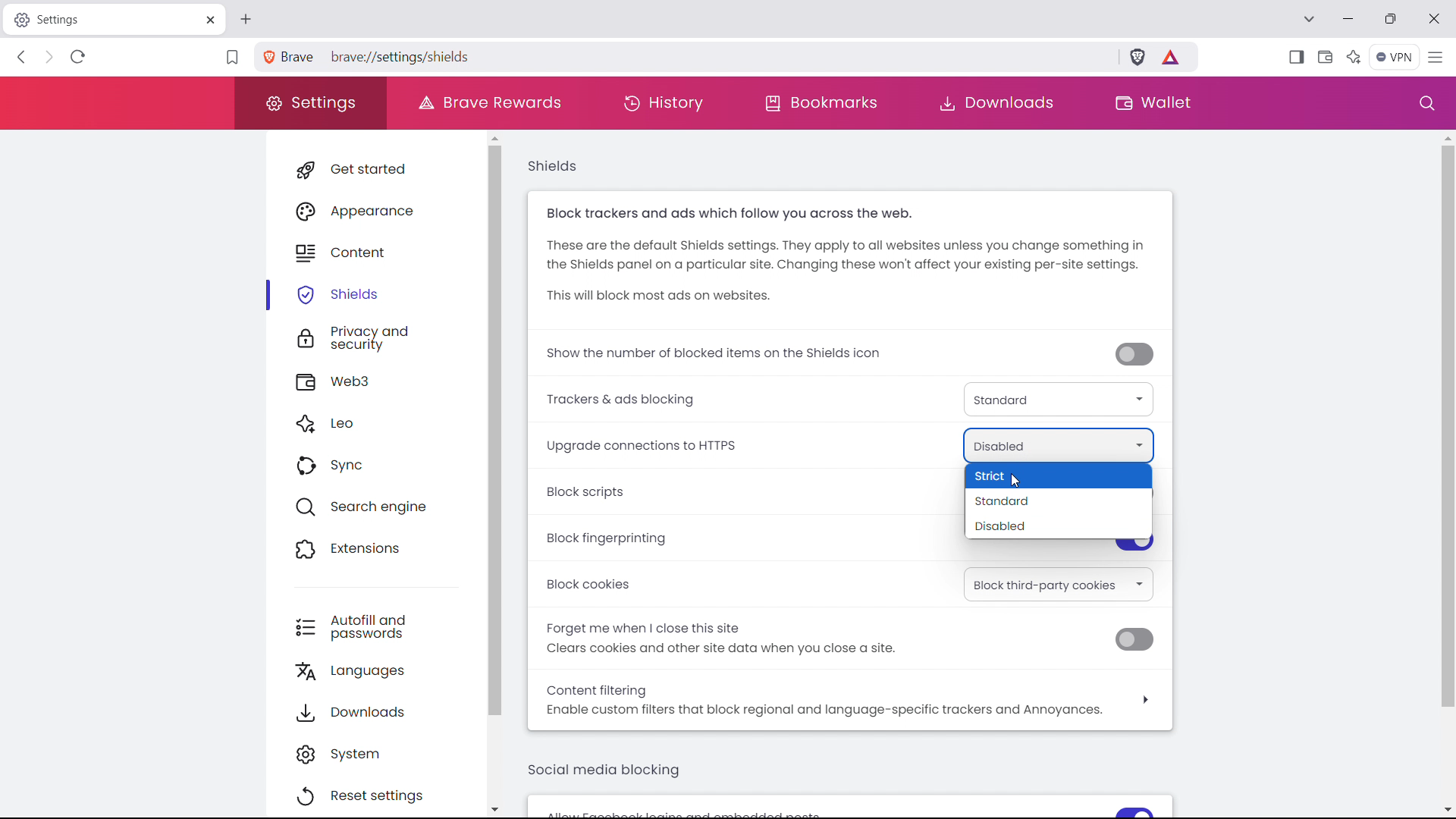 Image resolution: width=1456 pixels, height=819 pixels. What do you see at coordinates (1017, 481) in the screenshot?
I see `Cursor` at bounding box center [1017, 481].